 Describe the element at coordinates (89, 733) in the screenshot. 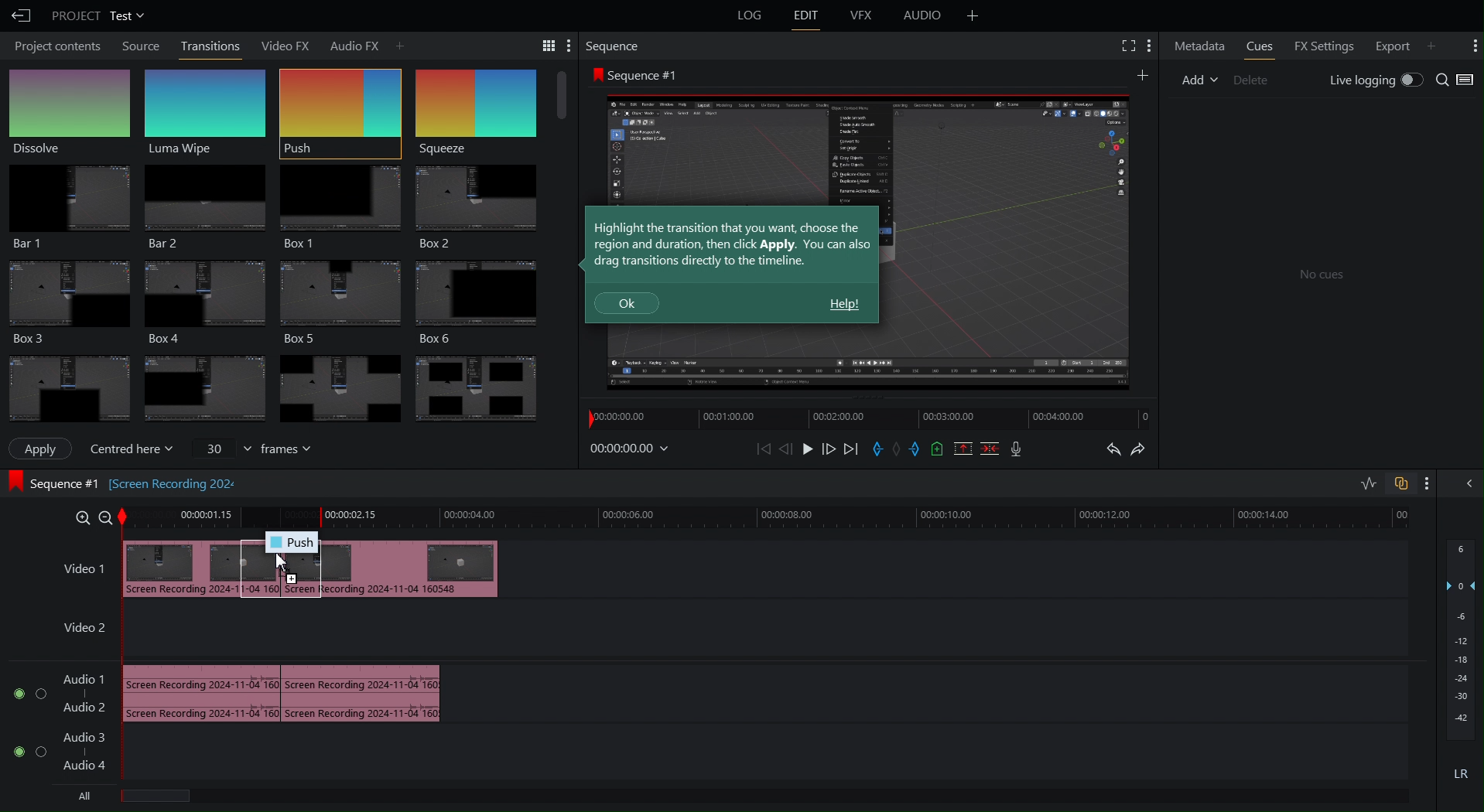

I see `Audio Track 3` at that location.